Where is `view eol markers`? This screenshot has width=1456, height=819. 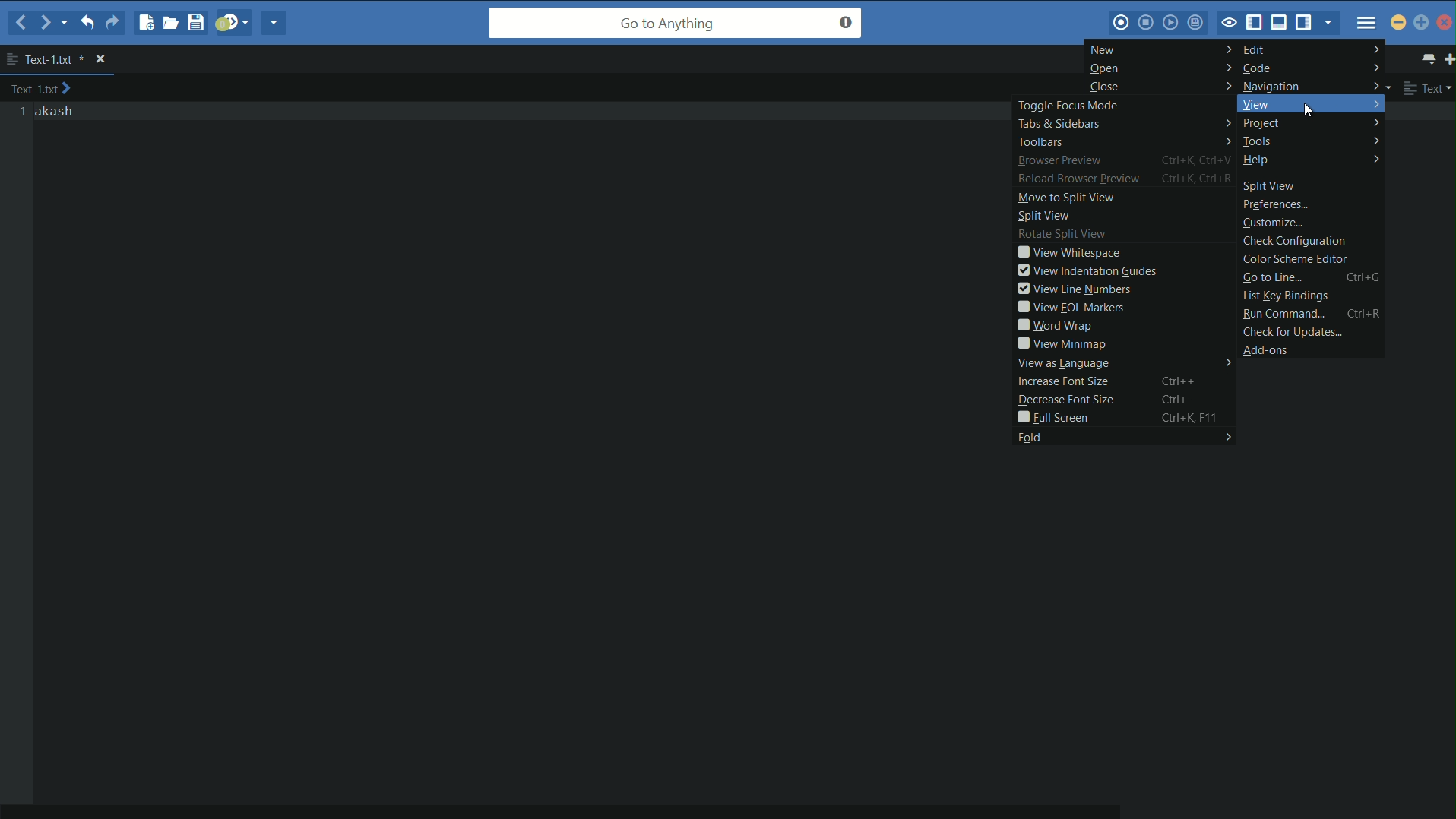 view eol markers is located at coordinates (1125, 308).